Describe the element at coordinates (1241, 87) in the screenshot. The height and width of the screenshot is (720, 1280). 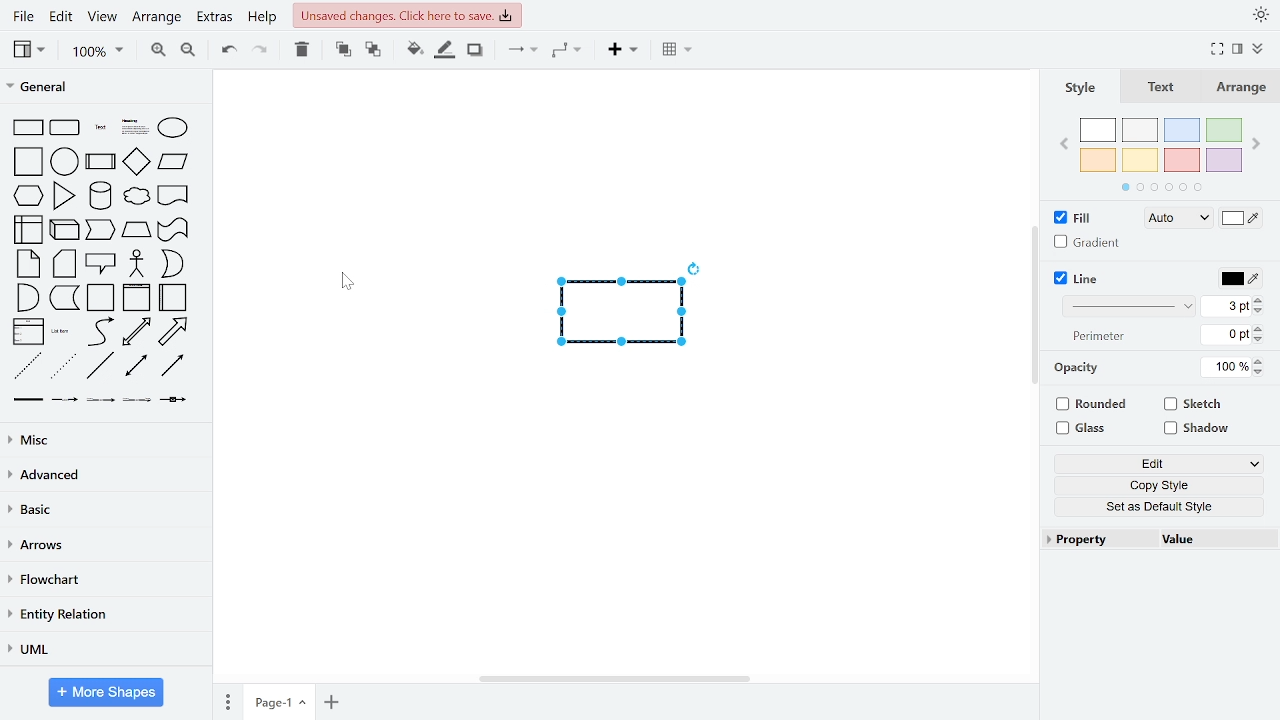
I see `arrange` at that location.